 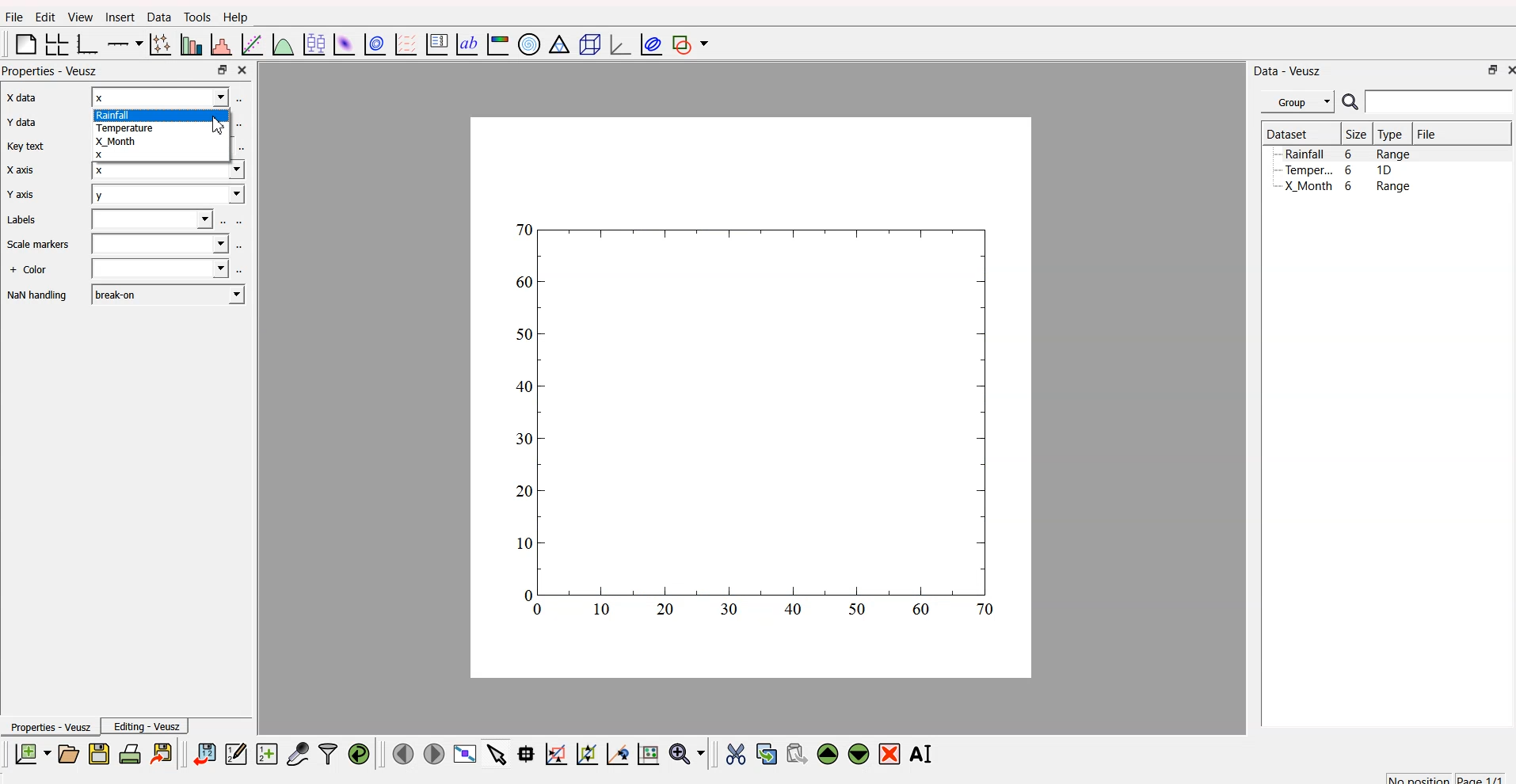 I want to click on Flle, so click(x=14, y=19).